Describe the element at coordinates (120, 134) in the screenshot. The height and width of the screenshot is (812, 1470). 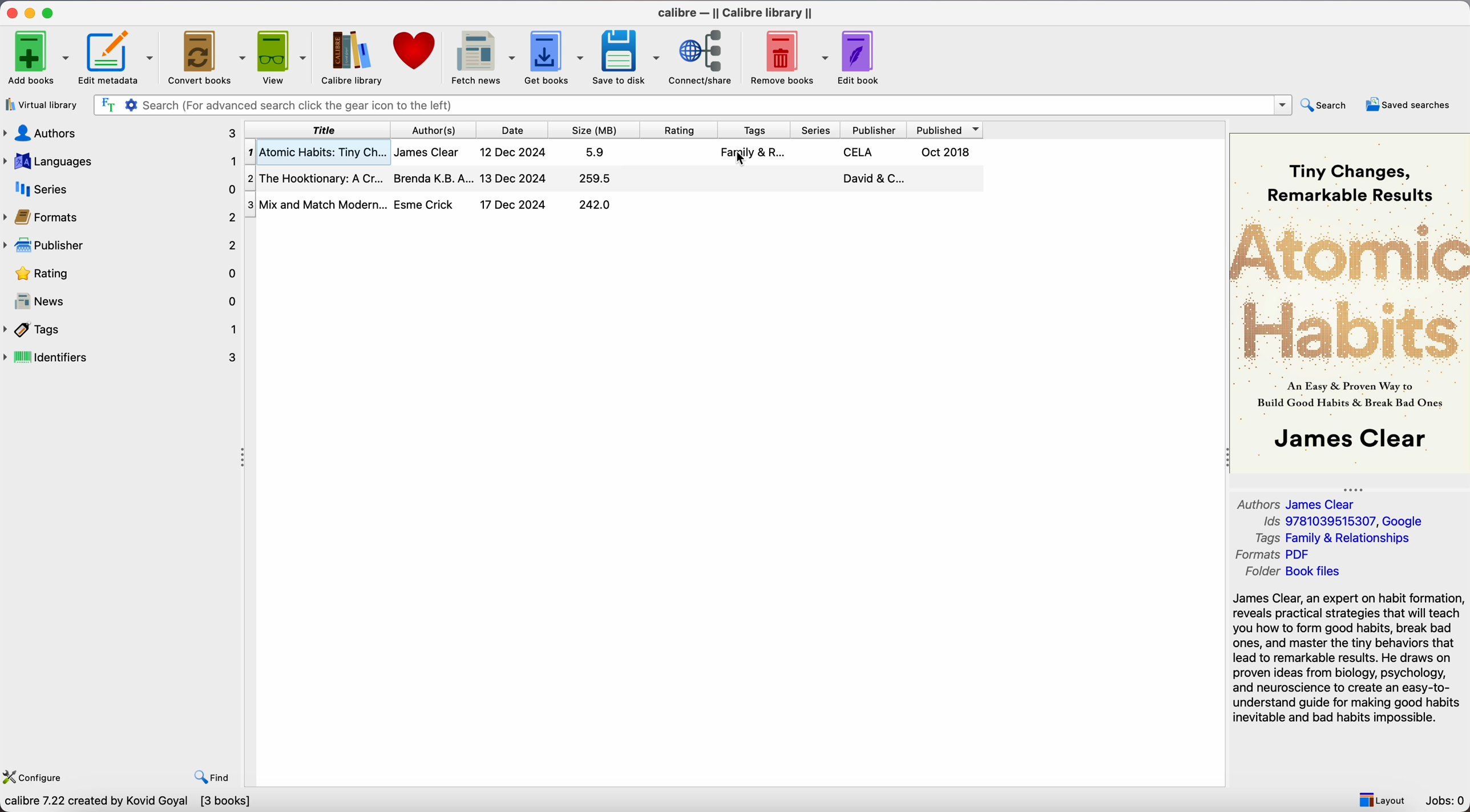
I see `authors` at that location.